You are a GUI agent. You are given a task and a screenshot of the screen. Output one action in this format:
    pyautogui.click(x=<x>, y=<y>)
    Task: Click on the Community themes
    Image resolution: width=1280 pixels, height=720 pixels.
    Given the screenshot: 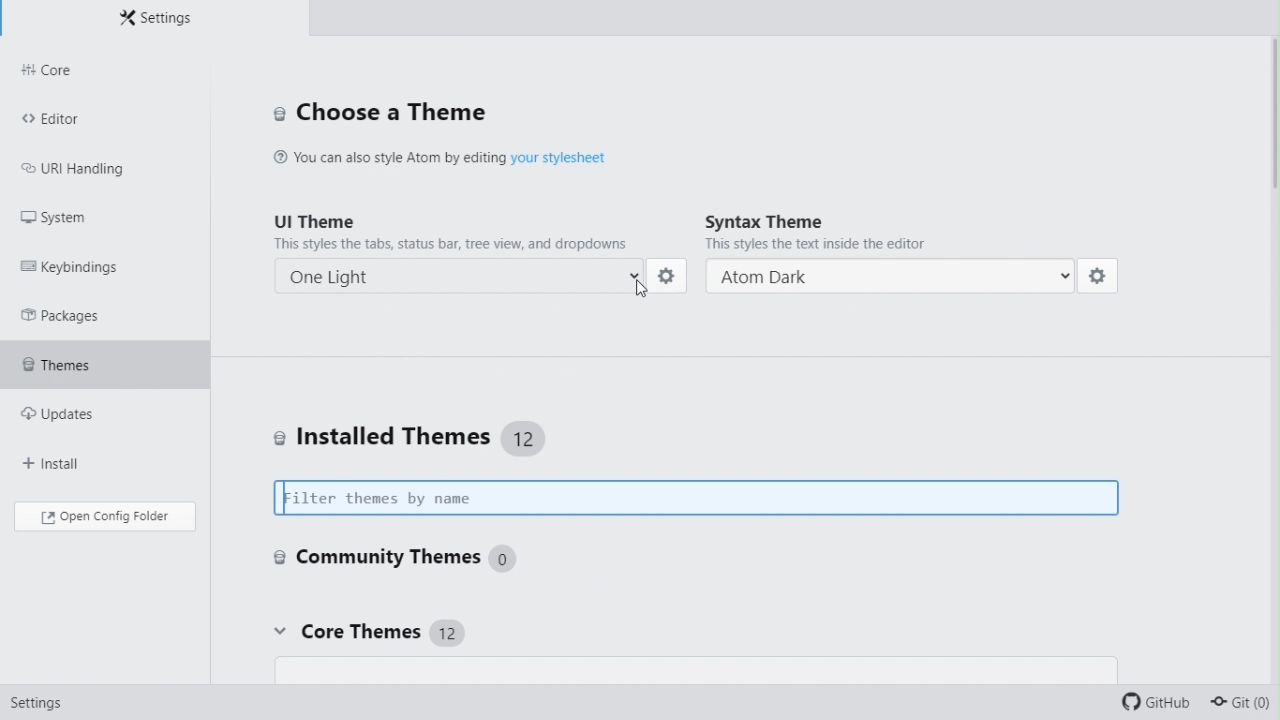 What is the action you would take?
    pyautogui.click(x=408, y=561)
    